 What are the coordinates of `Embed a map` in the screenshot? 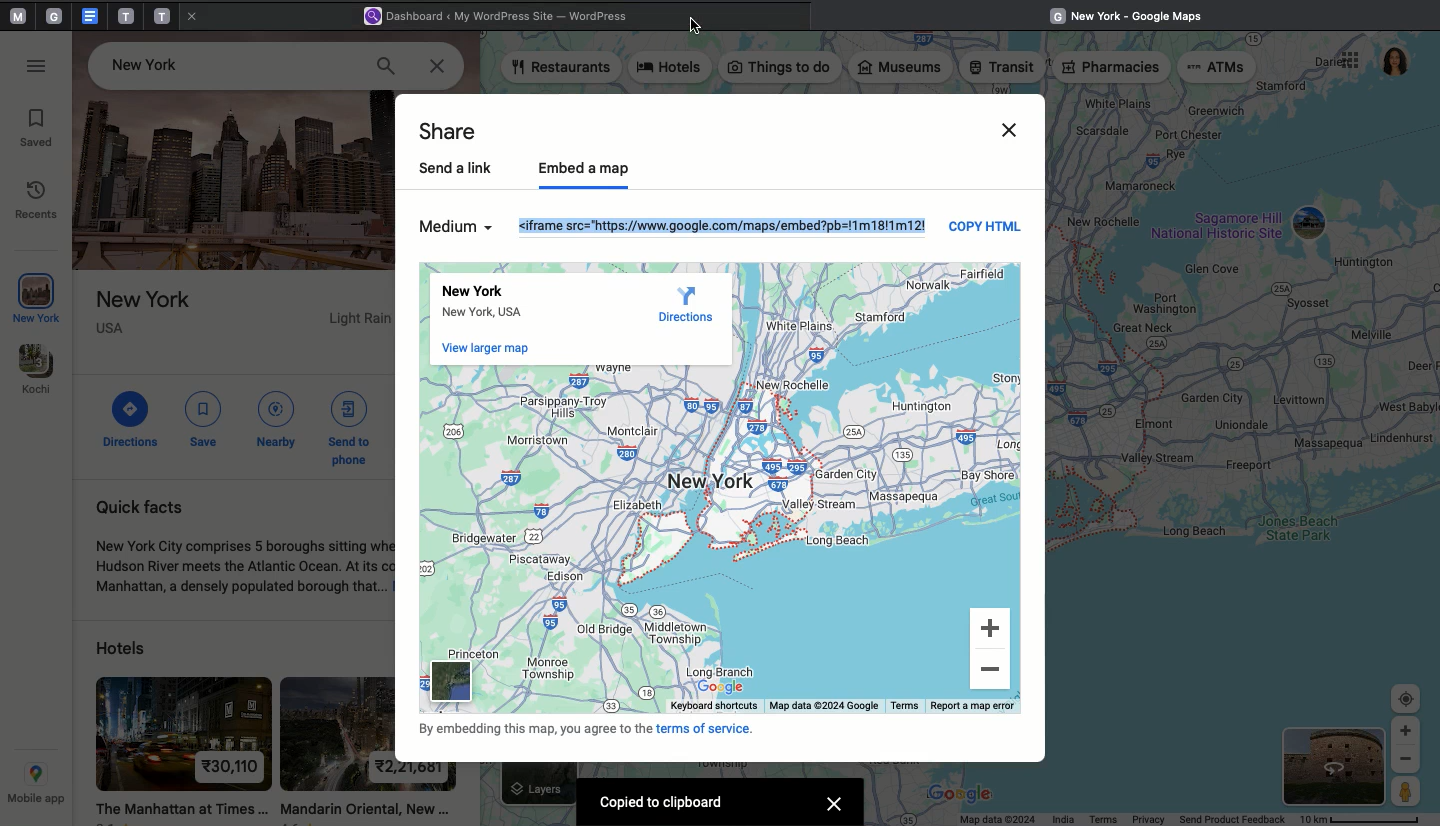 It's located at (590, 169).